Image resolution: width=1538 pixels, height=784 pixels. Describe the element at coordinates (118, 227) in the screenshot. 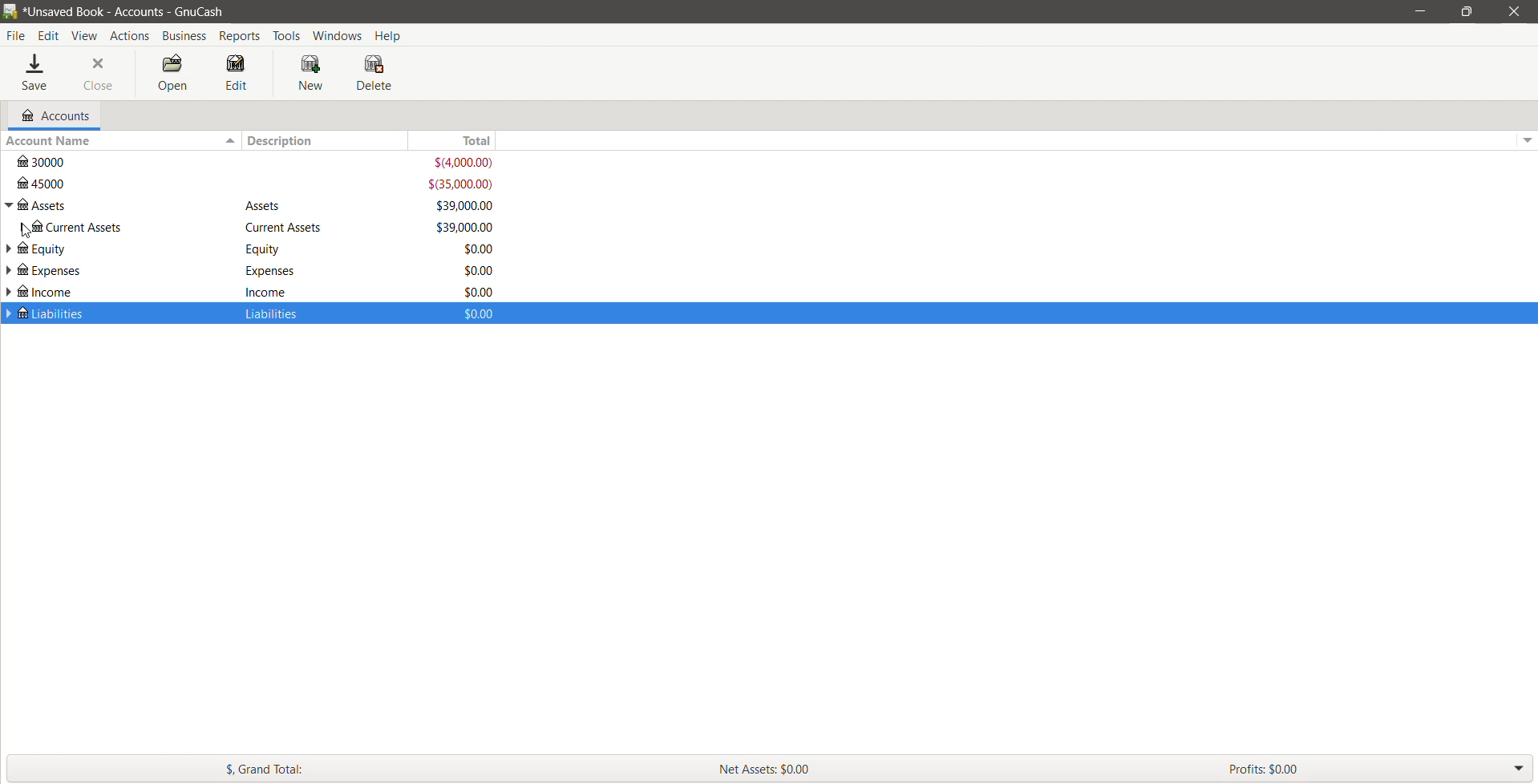

I see `Equity` at that location.